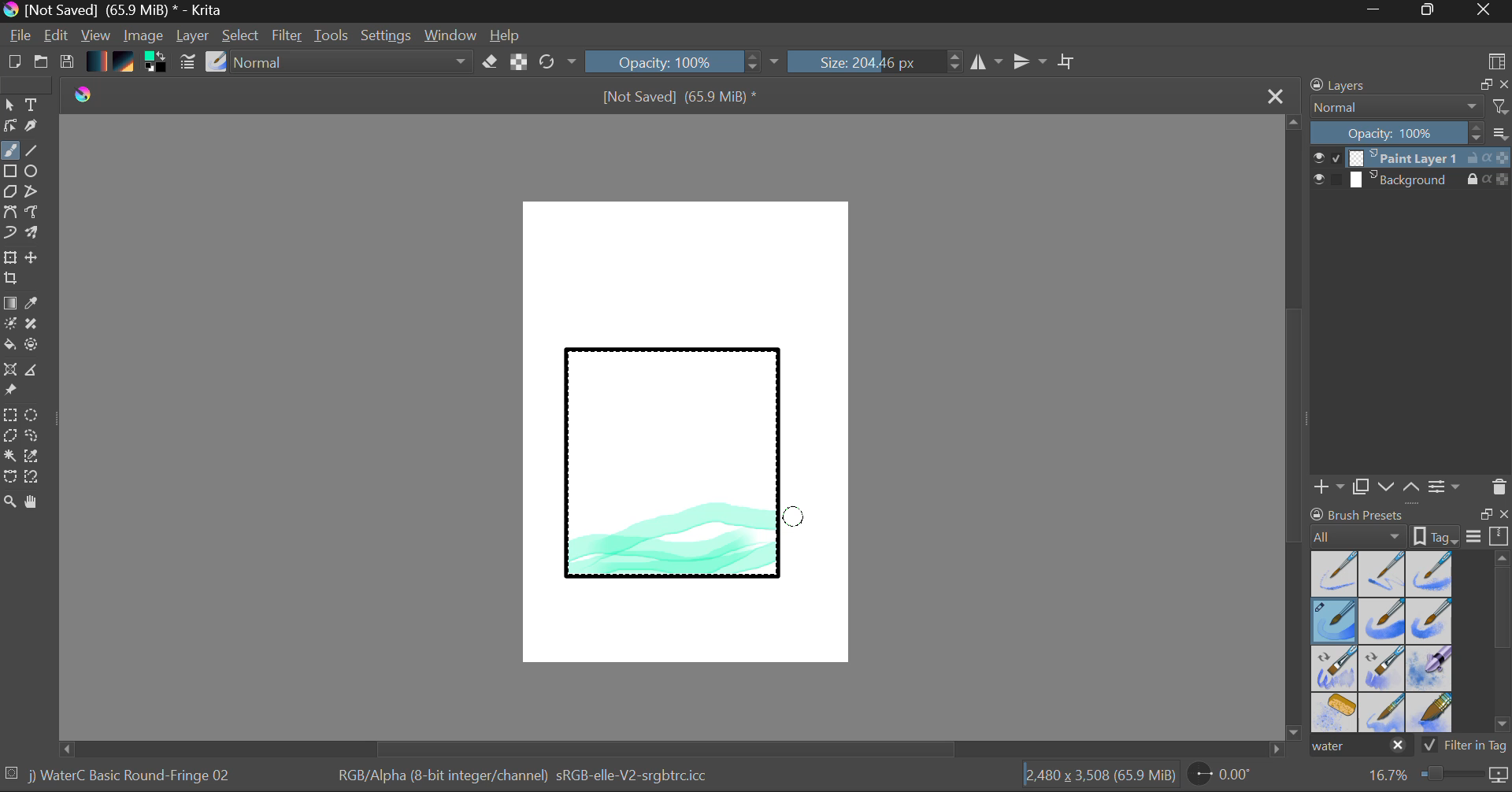 This screenshot has width=1512, height=792. What do you see at coordinates (35, 346) in the screenshot?
I see `Enclose and Fill` at bounding box center [35, 346].